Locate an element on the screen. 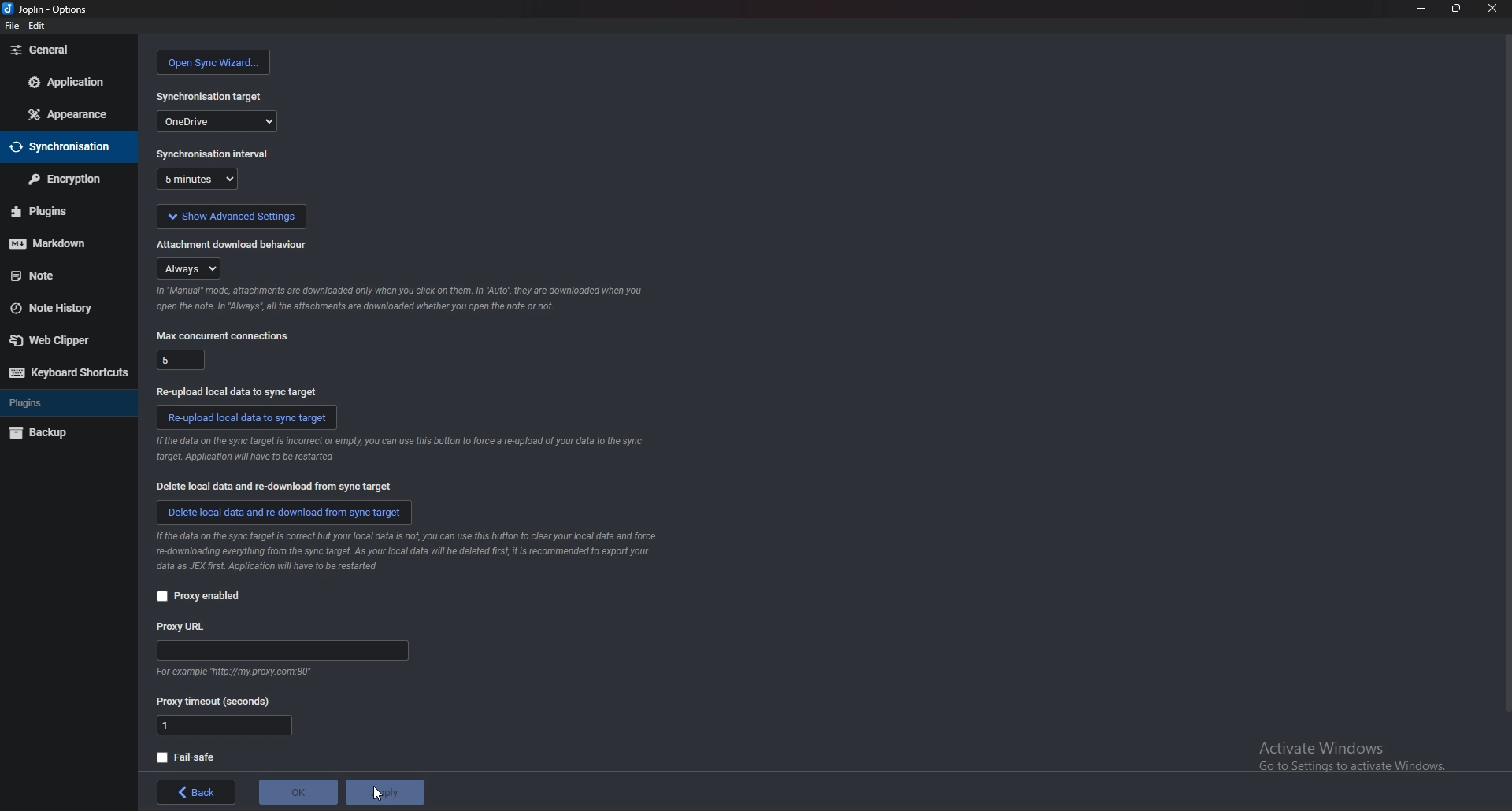  scroll bar is located at coordinates (1506, 378).